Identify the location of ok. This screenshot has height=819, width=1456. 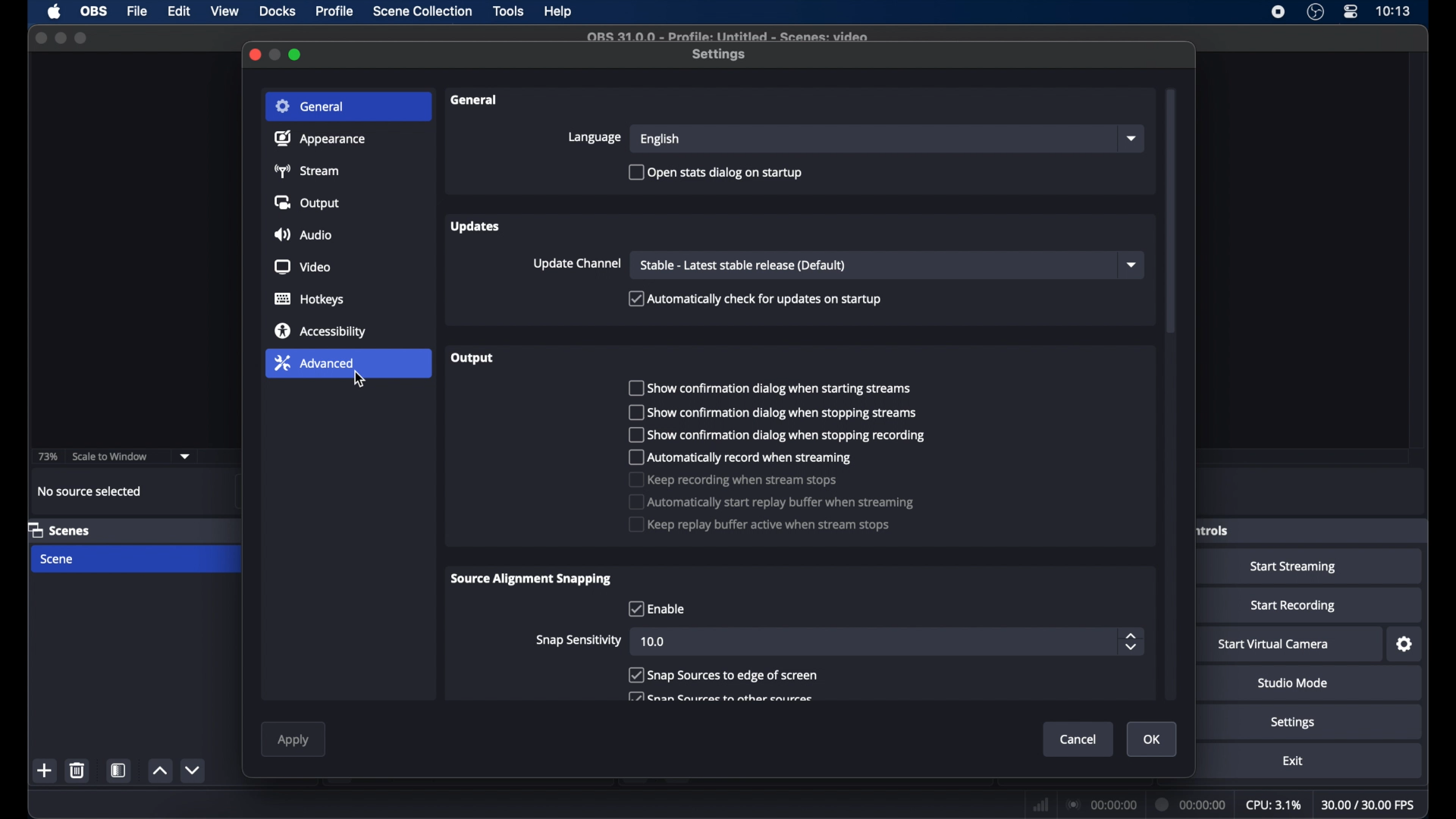
(1153, 739).